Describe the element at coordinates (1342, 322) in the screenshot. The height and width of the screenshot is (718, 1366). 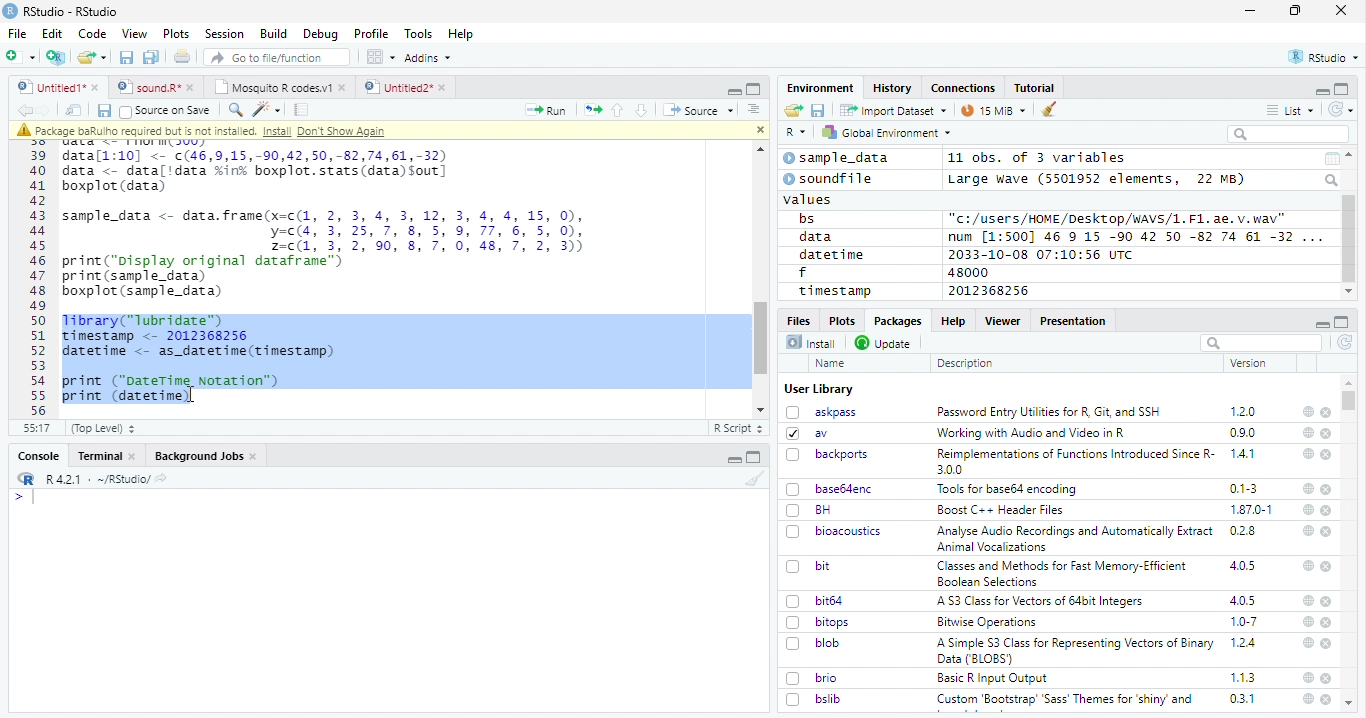
I see `full screen` at that location.